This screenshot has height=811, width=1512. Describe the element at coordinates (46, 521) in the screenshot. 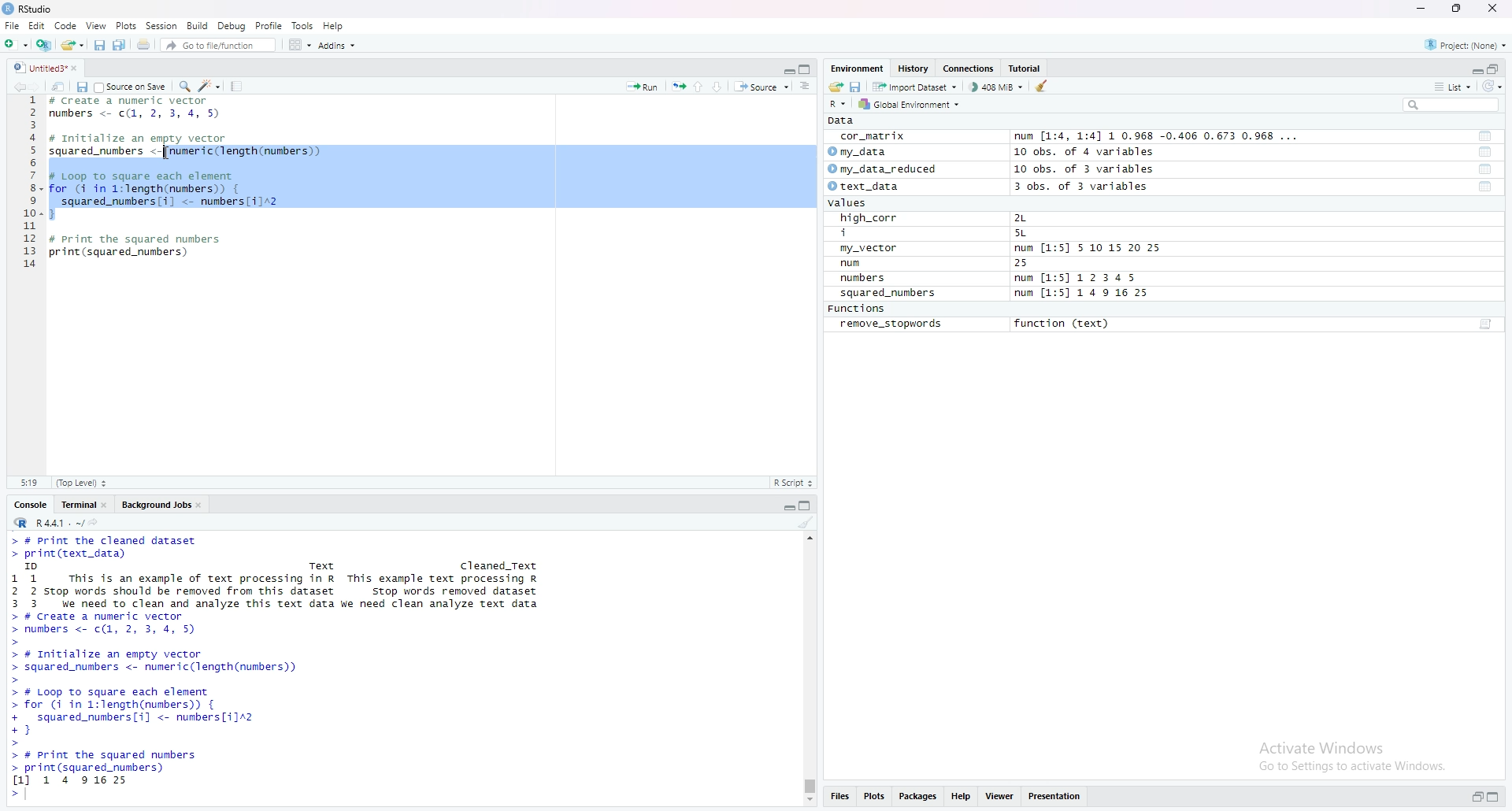

I see `R 4.4.1 ~/` at that location.